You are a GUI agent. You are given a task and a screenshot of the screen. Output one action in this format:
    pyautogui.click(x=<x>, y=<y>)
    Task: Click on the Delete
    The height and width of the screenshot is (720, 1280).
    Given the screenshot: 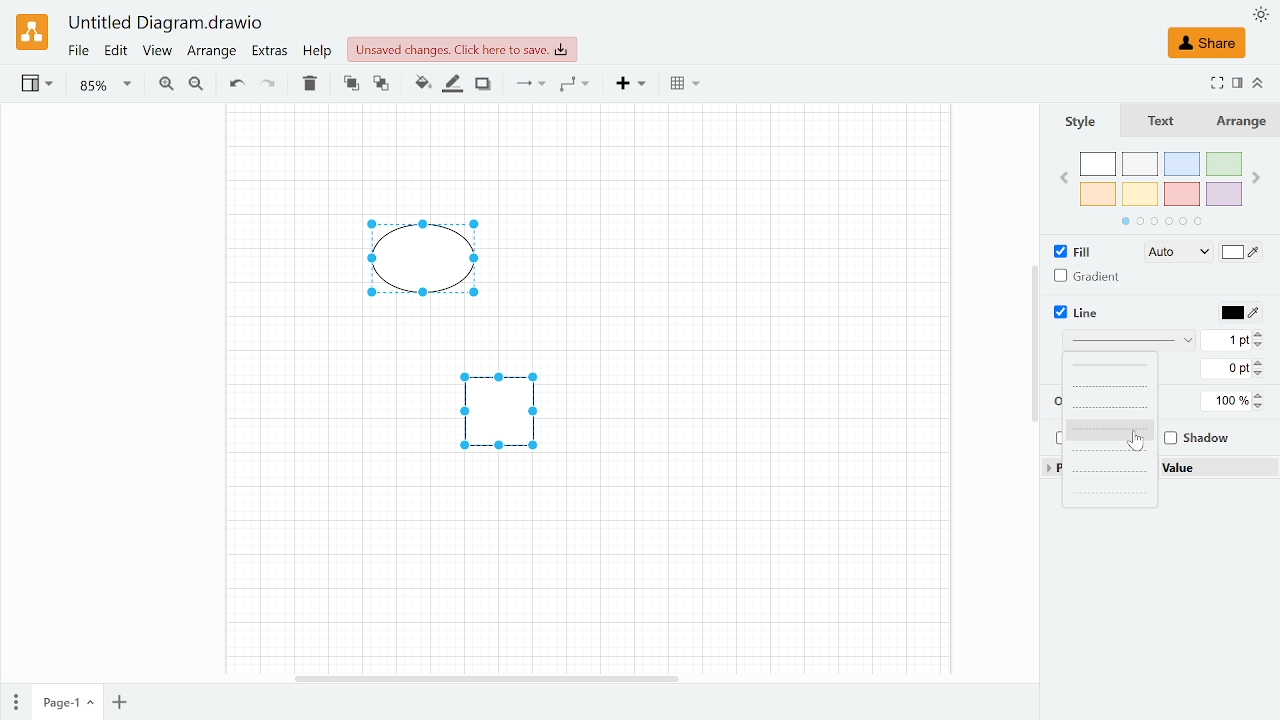 What is the action you would take?
    pyautogui.click(x=307, y=84)
    